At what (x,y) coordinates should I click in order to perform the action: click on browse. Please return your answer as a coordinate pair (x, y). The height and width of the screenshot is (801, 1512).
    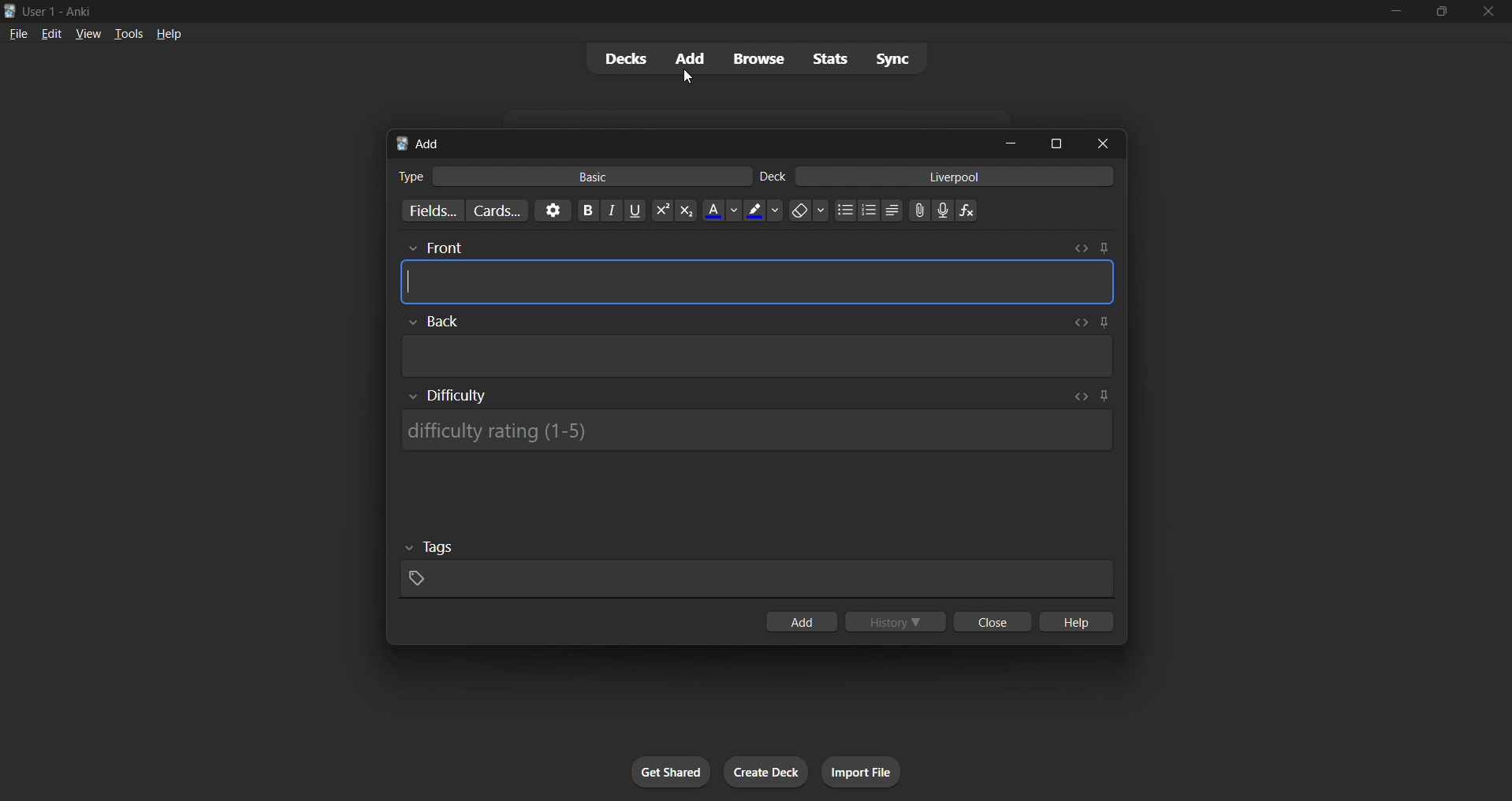
    Looking at the image, I should click on (755, 58).